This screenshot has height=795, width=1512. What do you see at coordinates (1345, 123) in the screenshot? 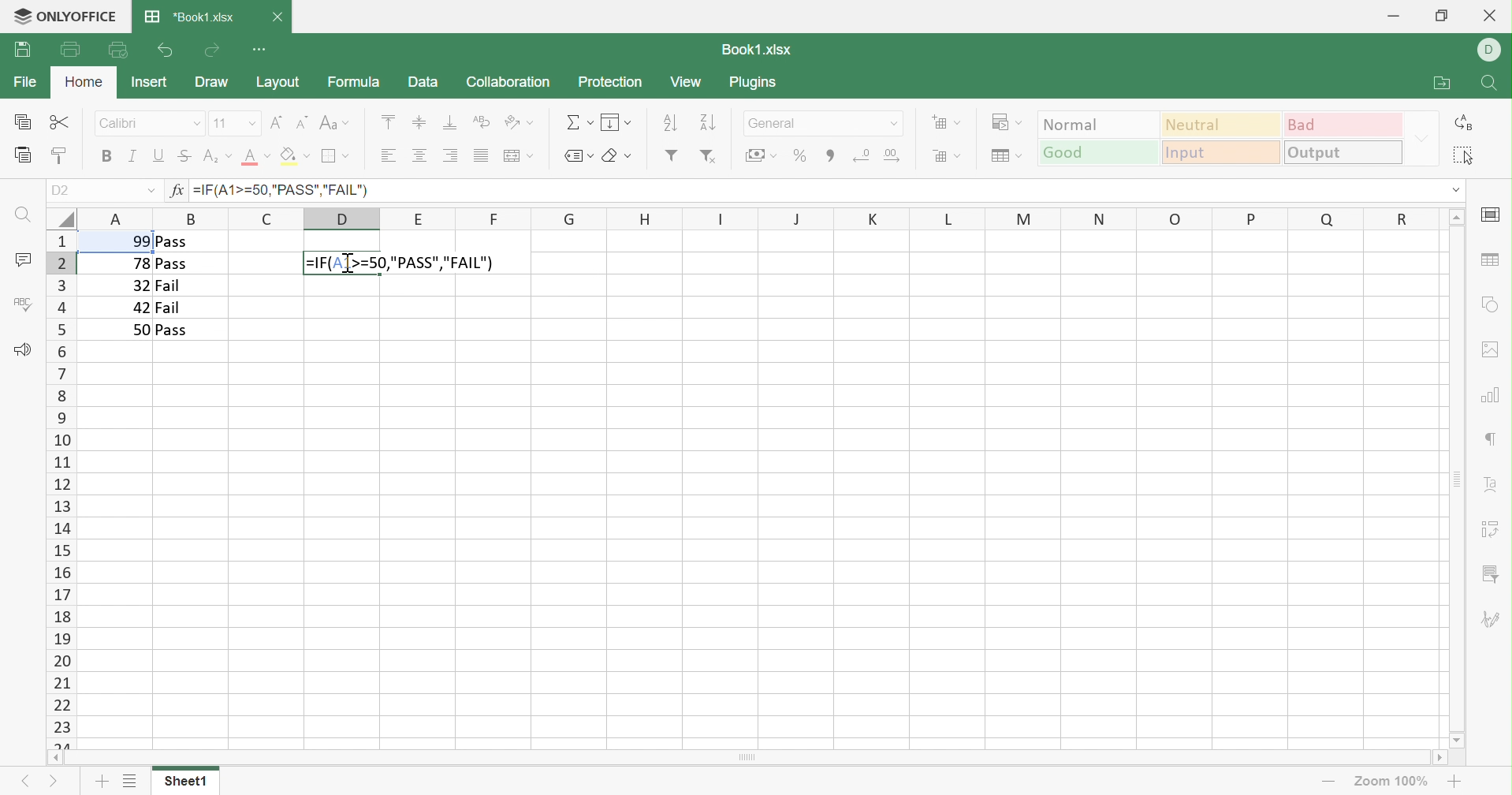
I see `Bad` at bounding box center [1345, 123].